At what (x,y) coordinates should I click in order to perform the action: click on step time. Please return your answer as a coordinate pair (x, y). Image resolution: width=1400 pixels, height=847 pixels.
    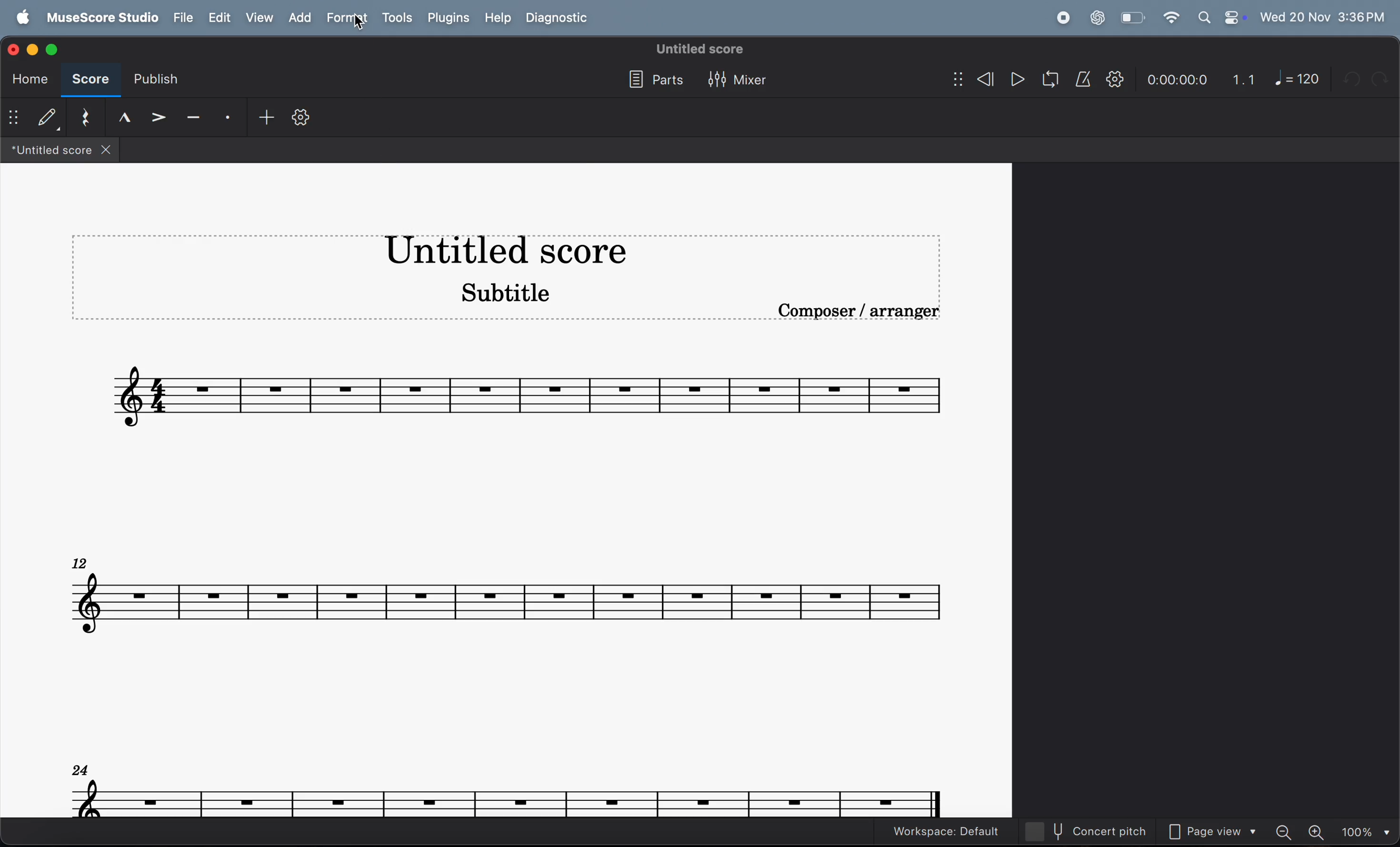
    Looking at the image, I should click on (34, 118).